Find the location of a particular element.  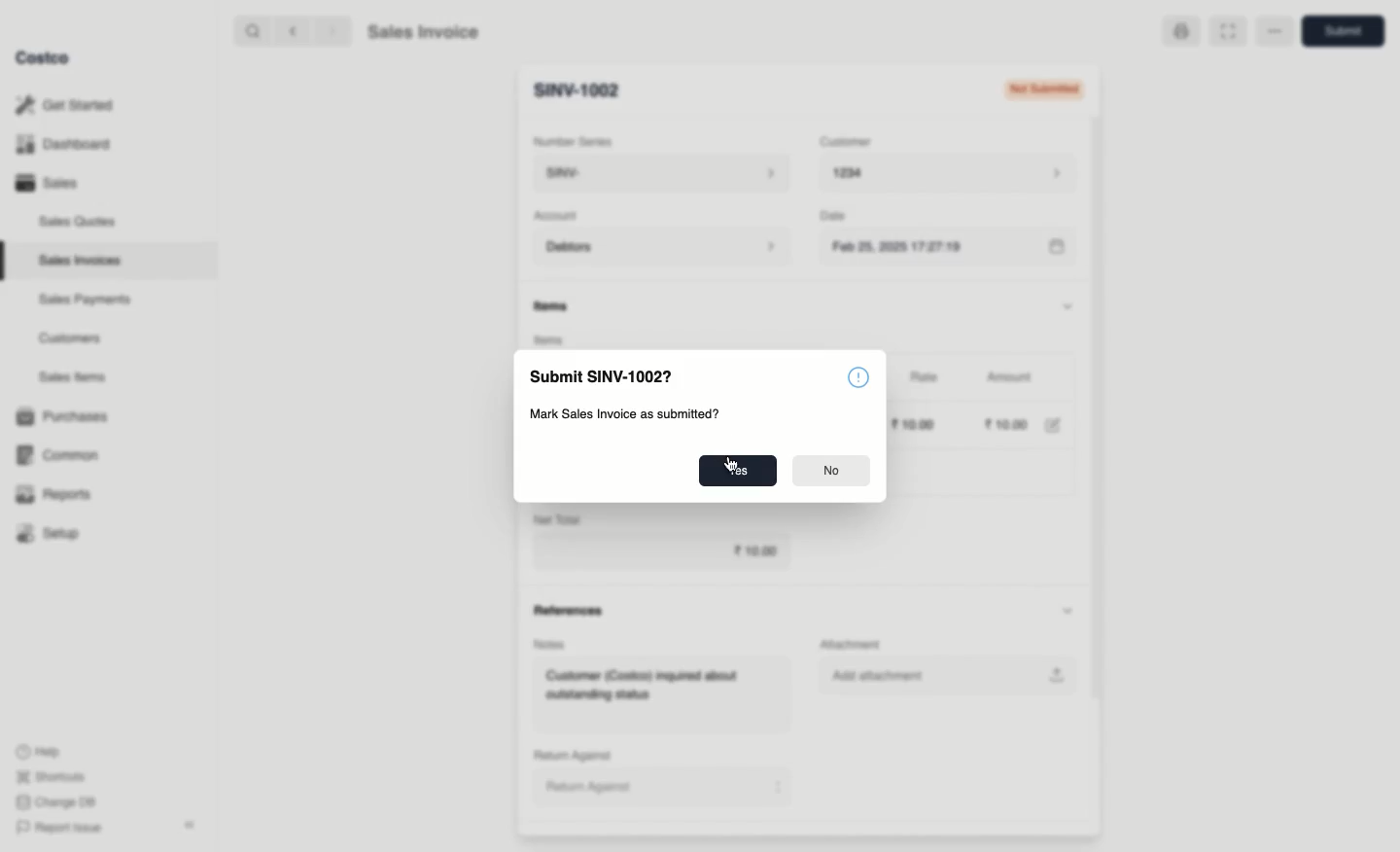

Sales Items. is located at coordinates (69, 378).